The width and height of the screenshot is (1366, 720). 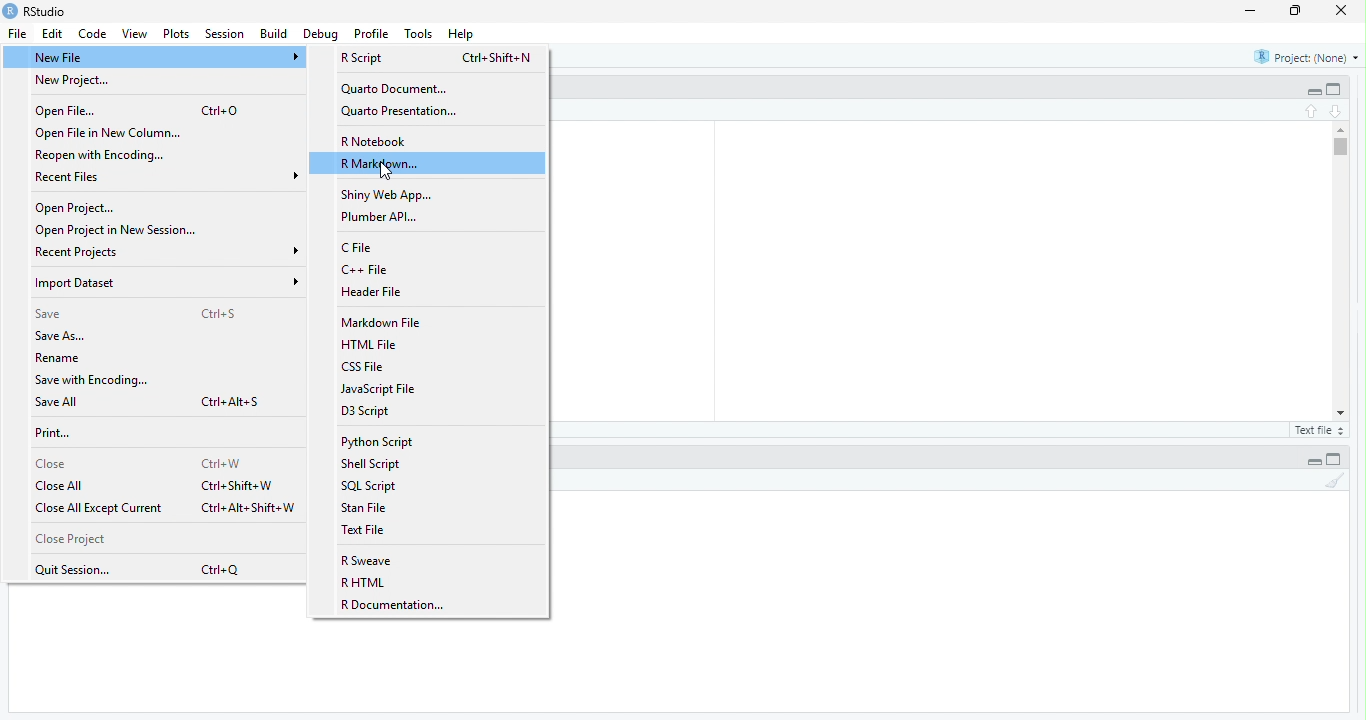 I want to click on Tools, so click(x=419, y=34).